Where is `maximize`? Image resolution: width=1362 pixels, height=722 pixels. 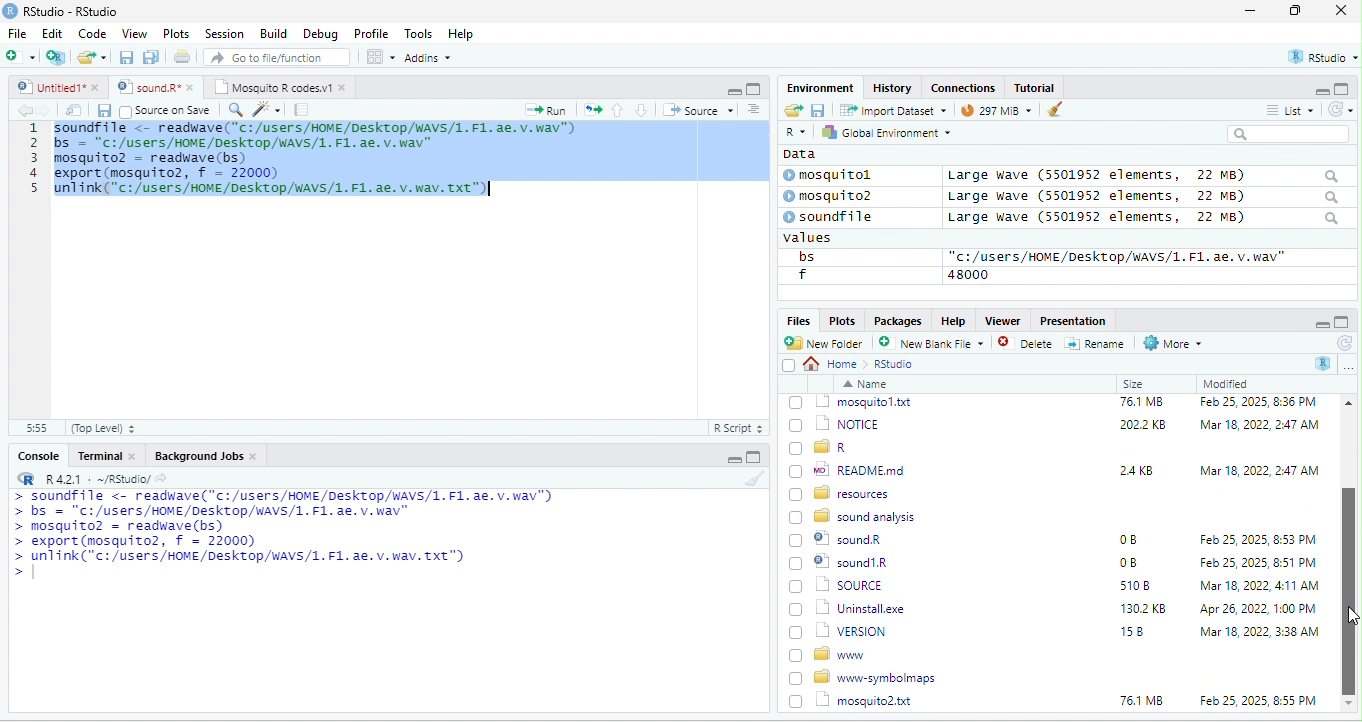
maximize is located at coordinates (753, 457).